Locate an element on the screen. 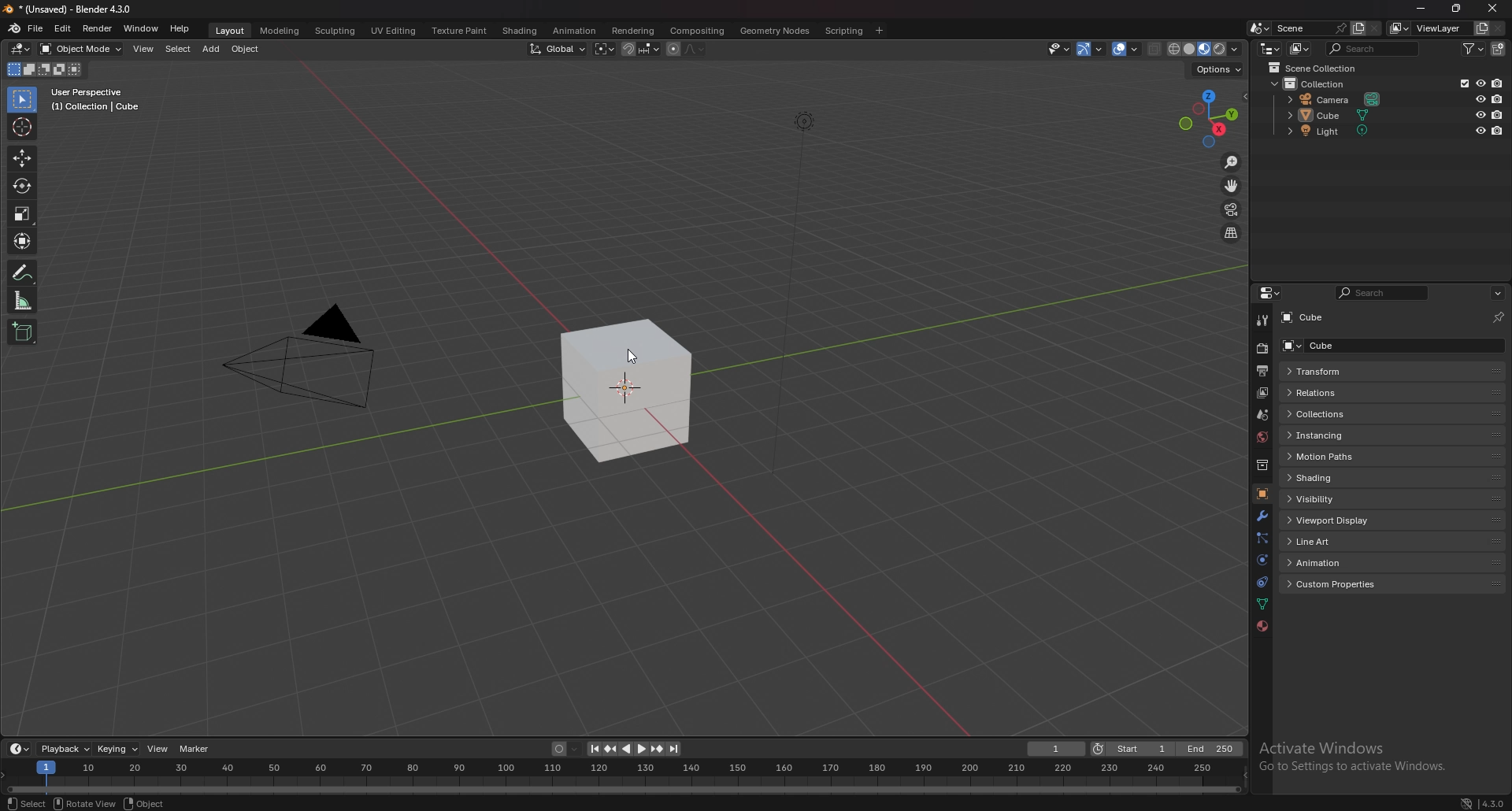 The width and height of the screenshot is (1512, 811). view is located at coordinates (159, 750).